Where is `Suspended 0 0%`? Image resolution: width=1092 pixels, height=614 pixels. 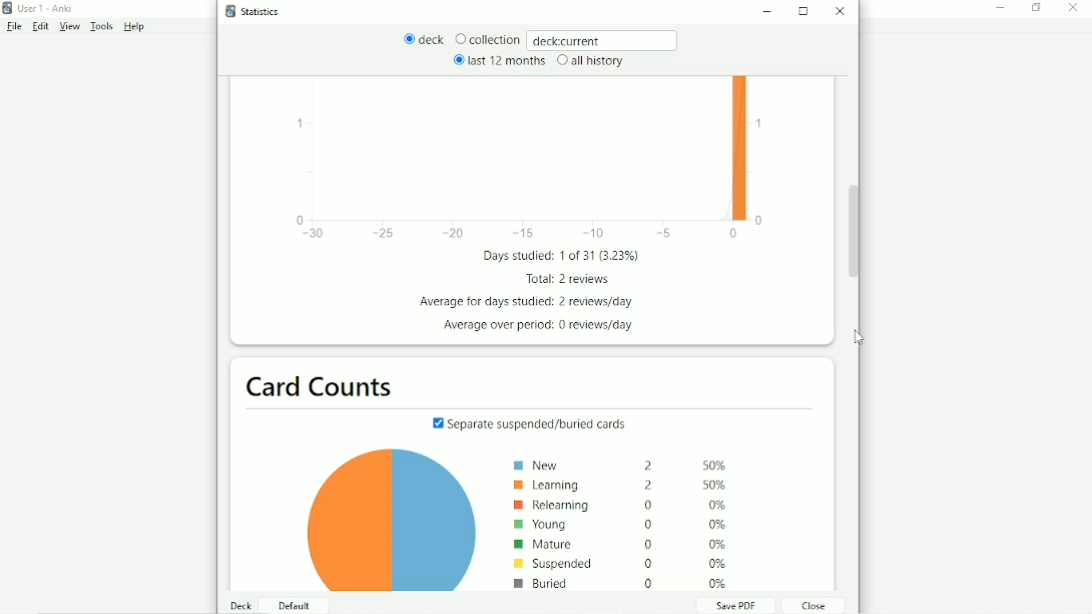 Suspended 0 0% is located at coordinates (620, 563).